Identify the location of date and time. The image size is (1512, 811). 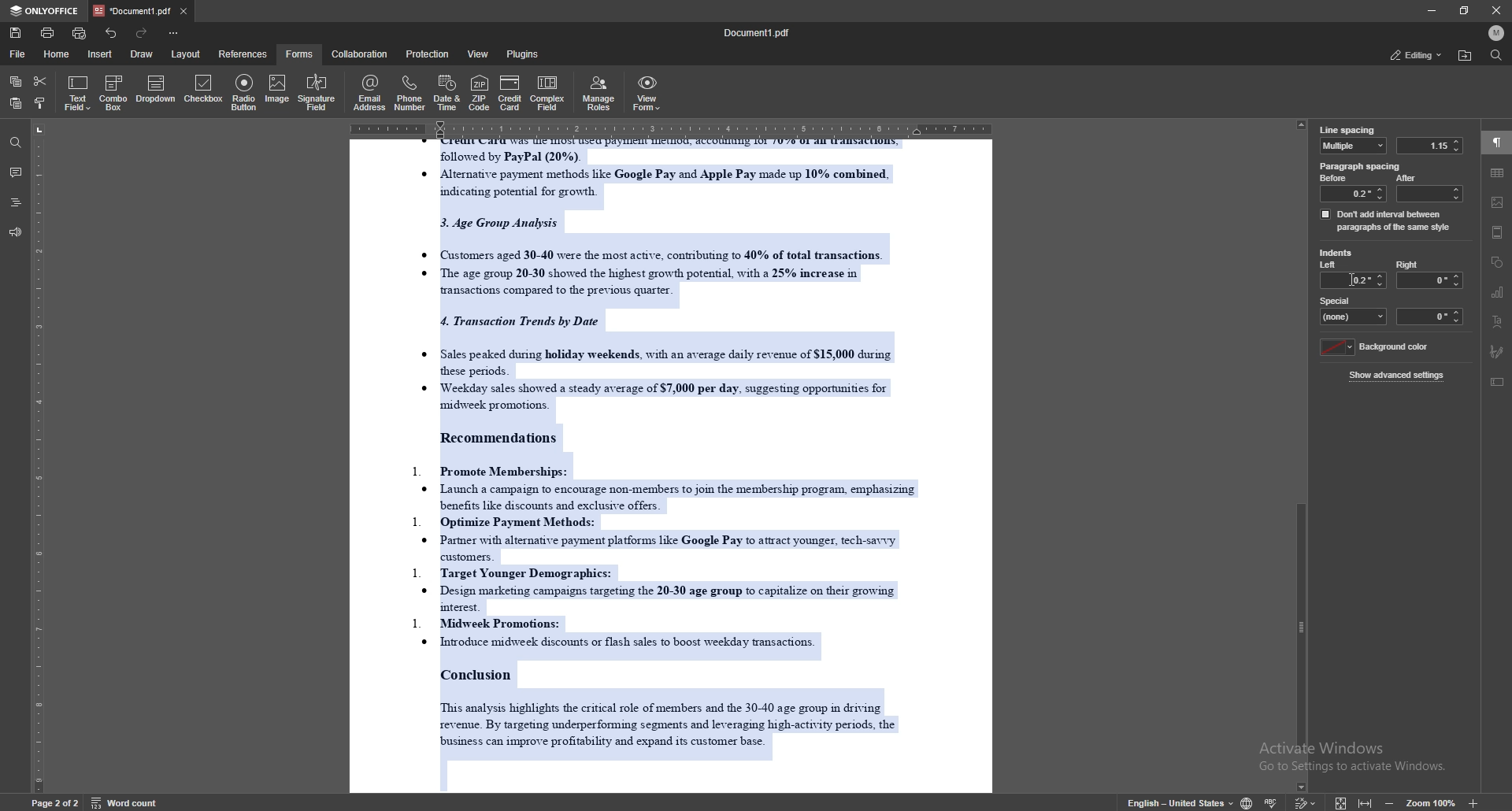
(447, 93).